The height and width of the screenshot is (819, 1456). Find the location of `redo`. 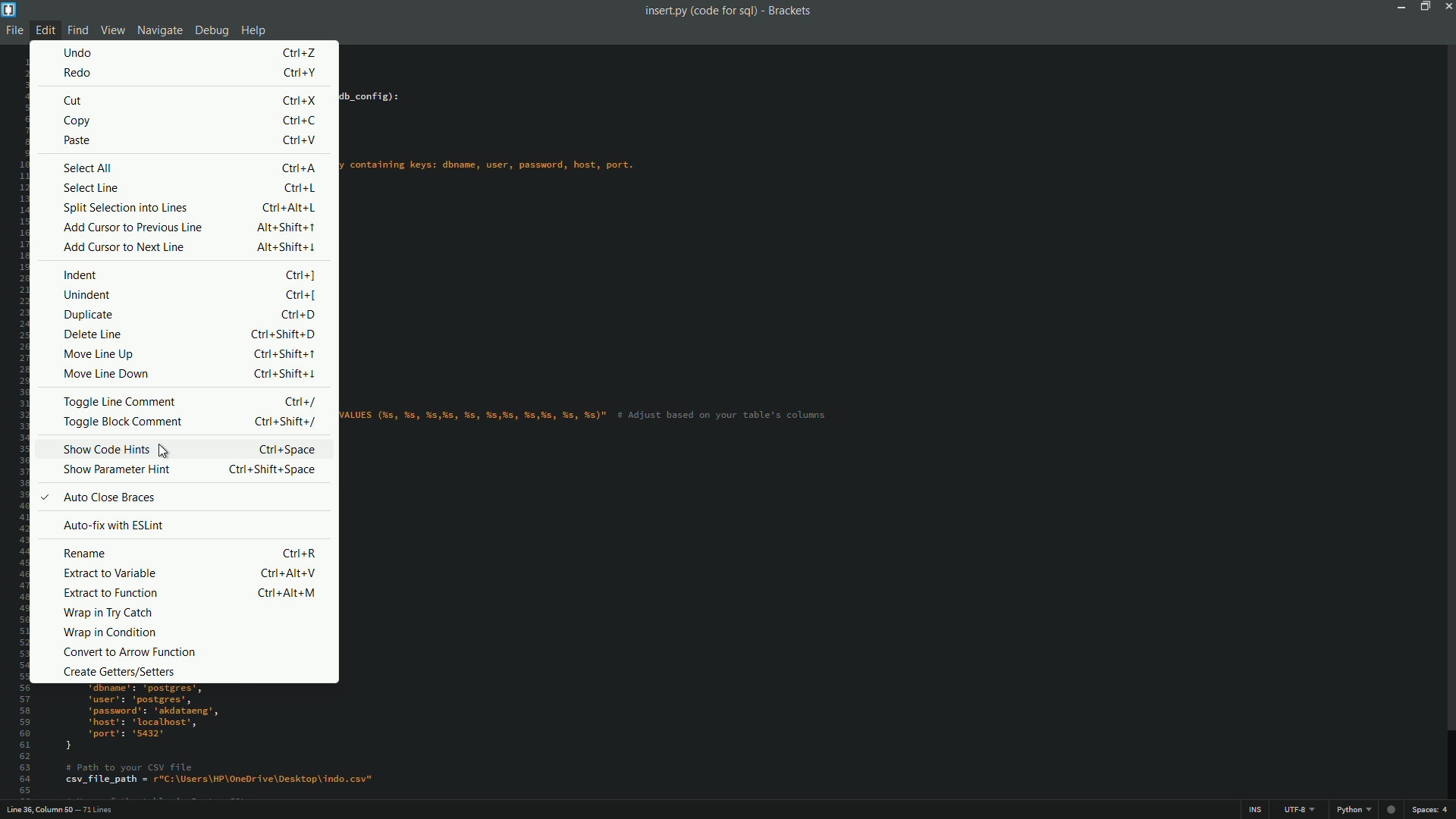

redo is located at coordinates (76, 72).